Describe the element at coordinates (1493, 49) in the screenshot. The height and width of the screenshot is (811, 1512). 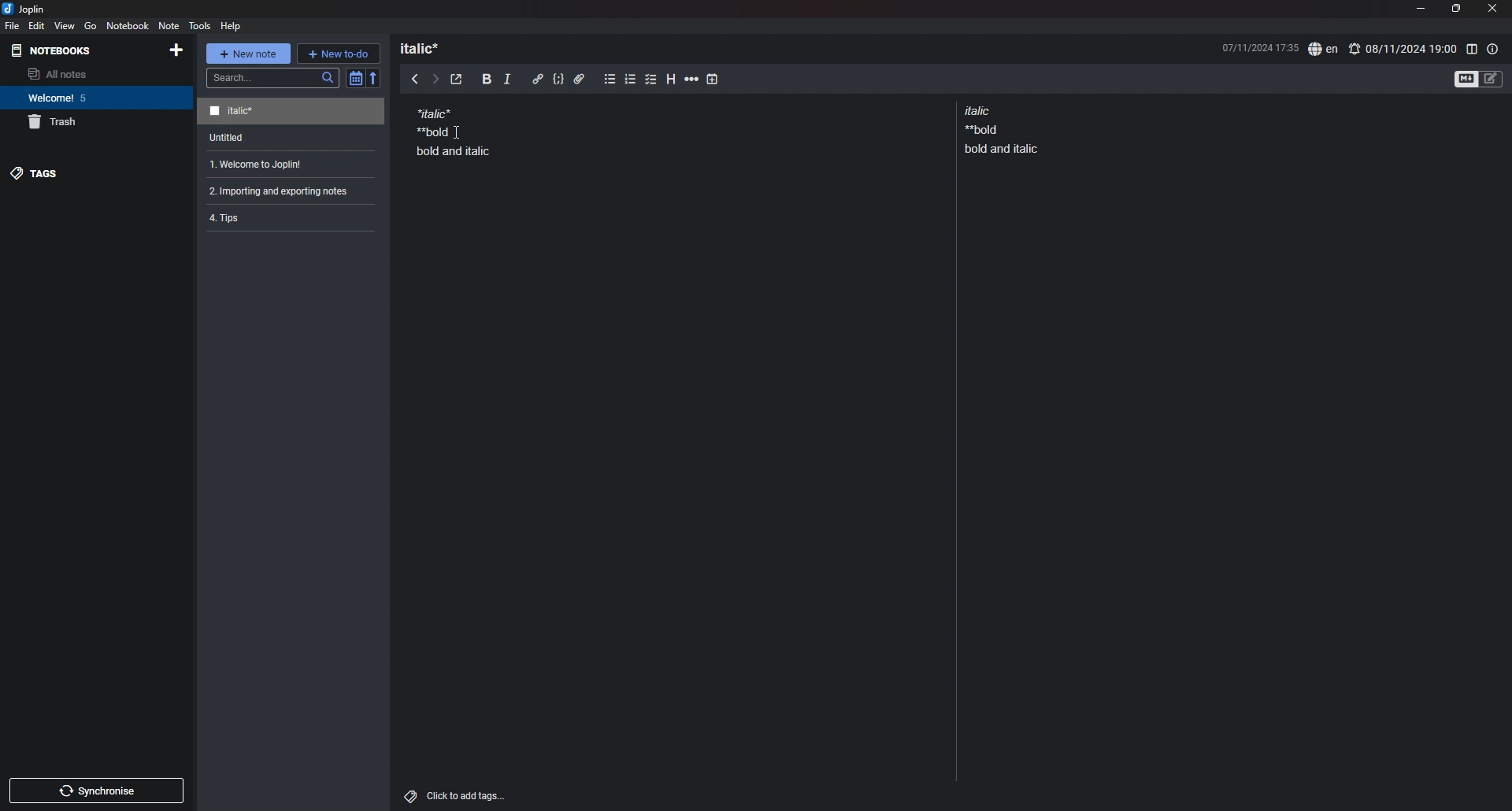
I see `note properties` at that location.